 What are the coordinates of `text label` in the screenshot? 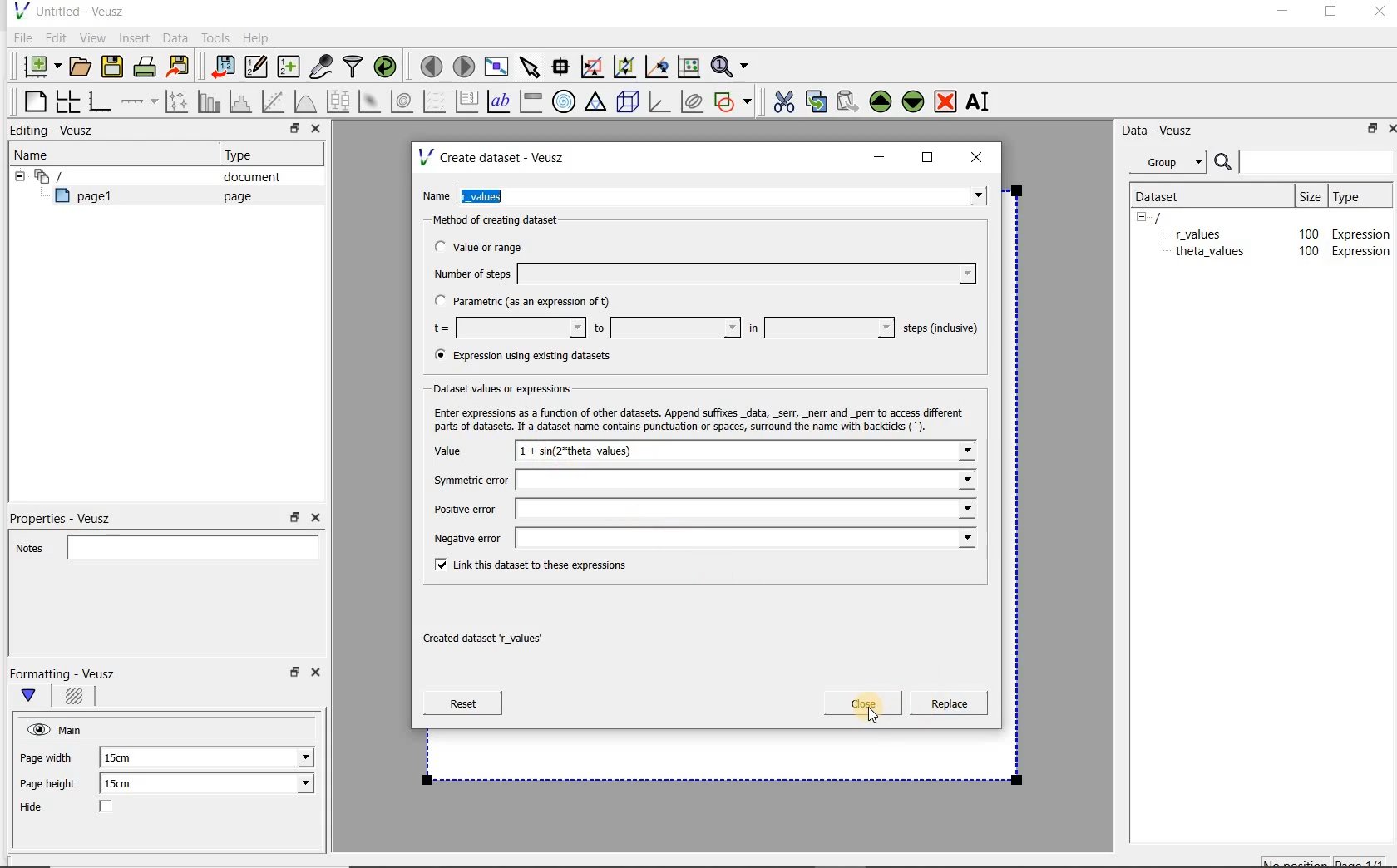 It's located at (501, 101).